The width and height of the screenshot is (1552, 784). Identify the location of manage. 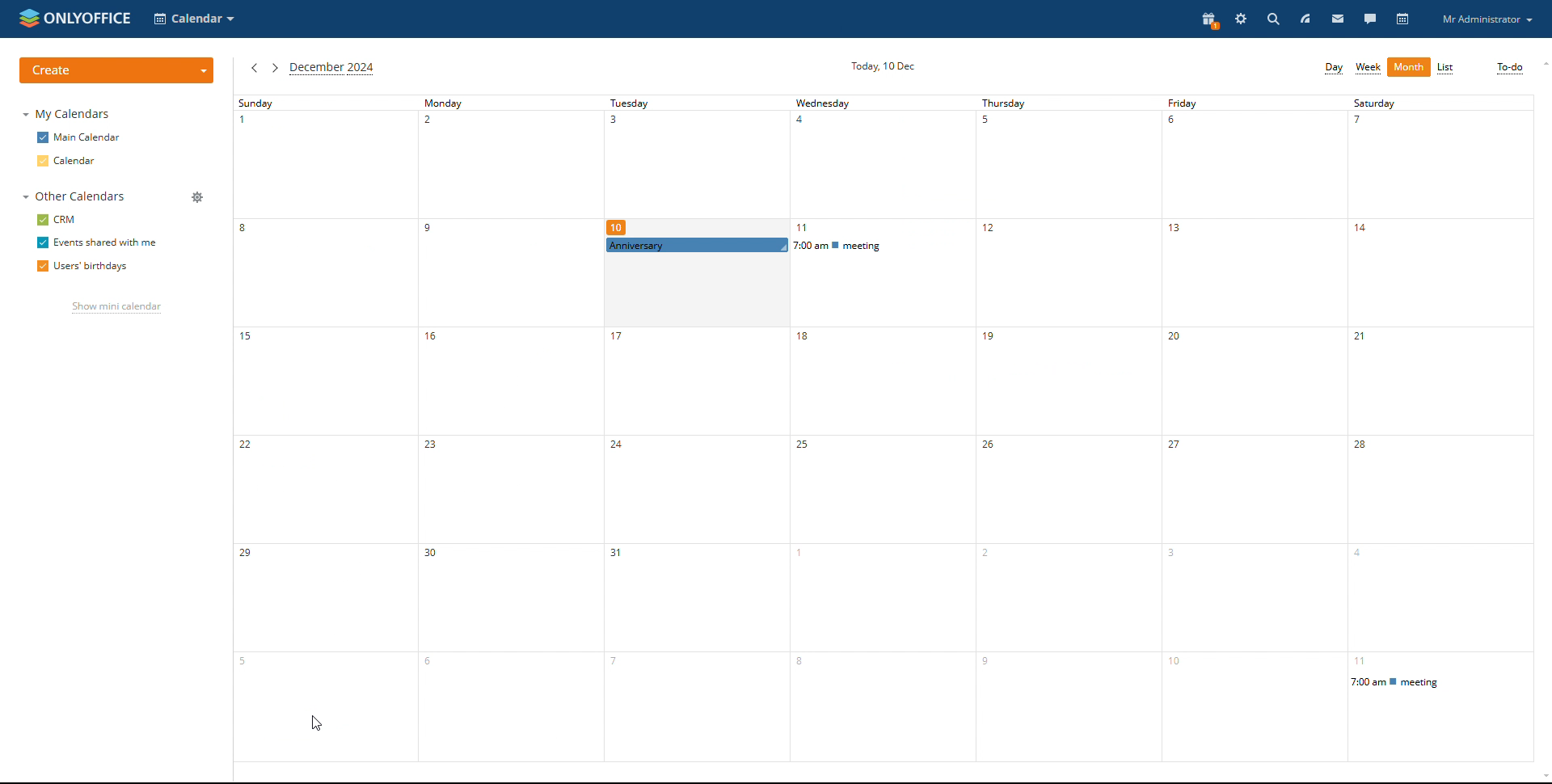
(198, 196).